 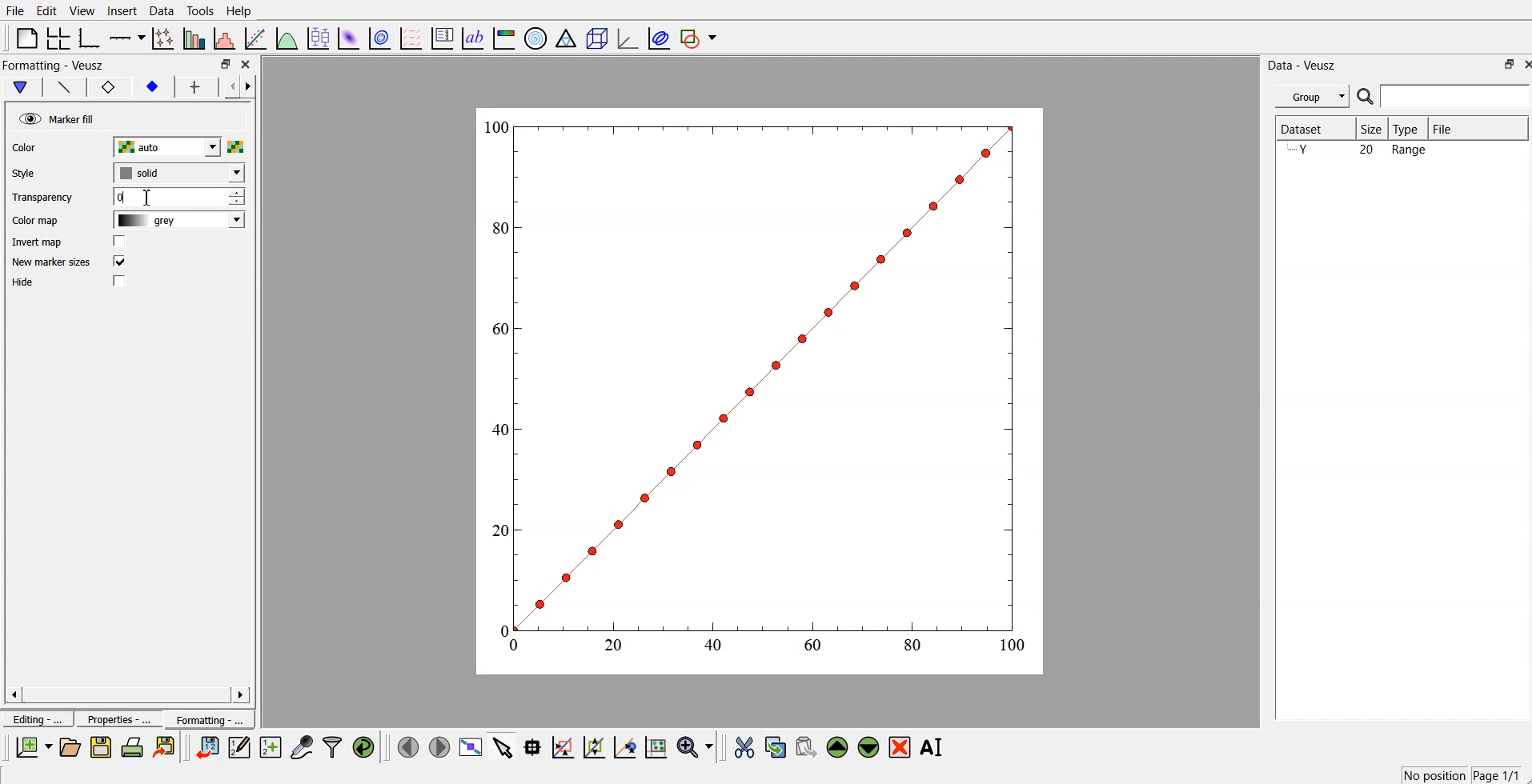 I want to click on paste, so click(x=807, y=745).